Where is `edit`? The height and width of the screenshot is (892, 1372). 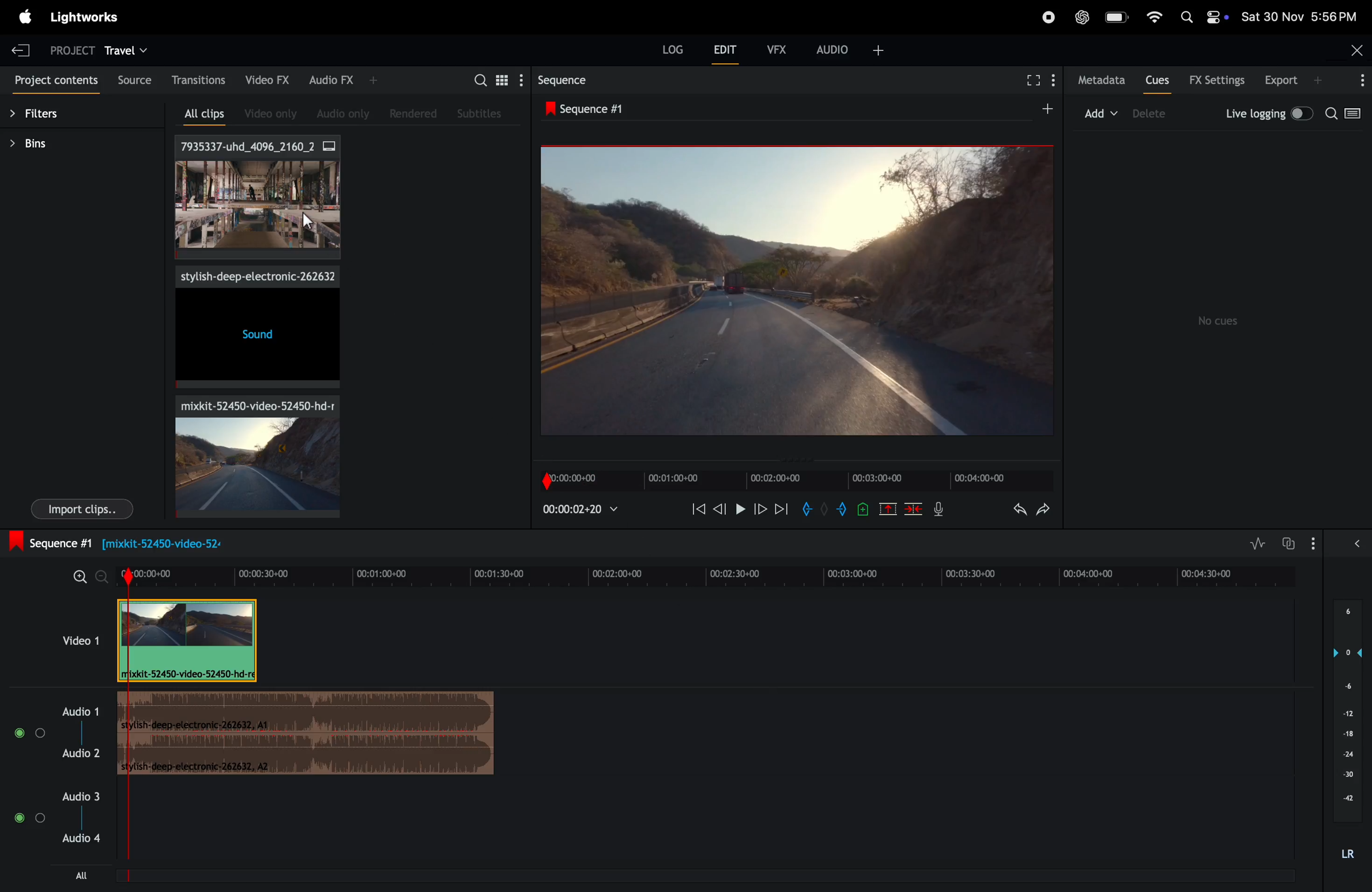 edit is located at coordinates (721, 50).